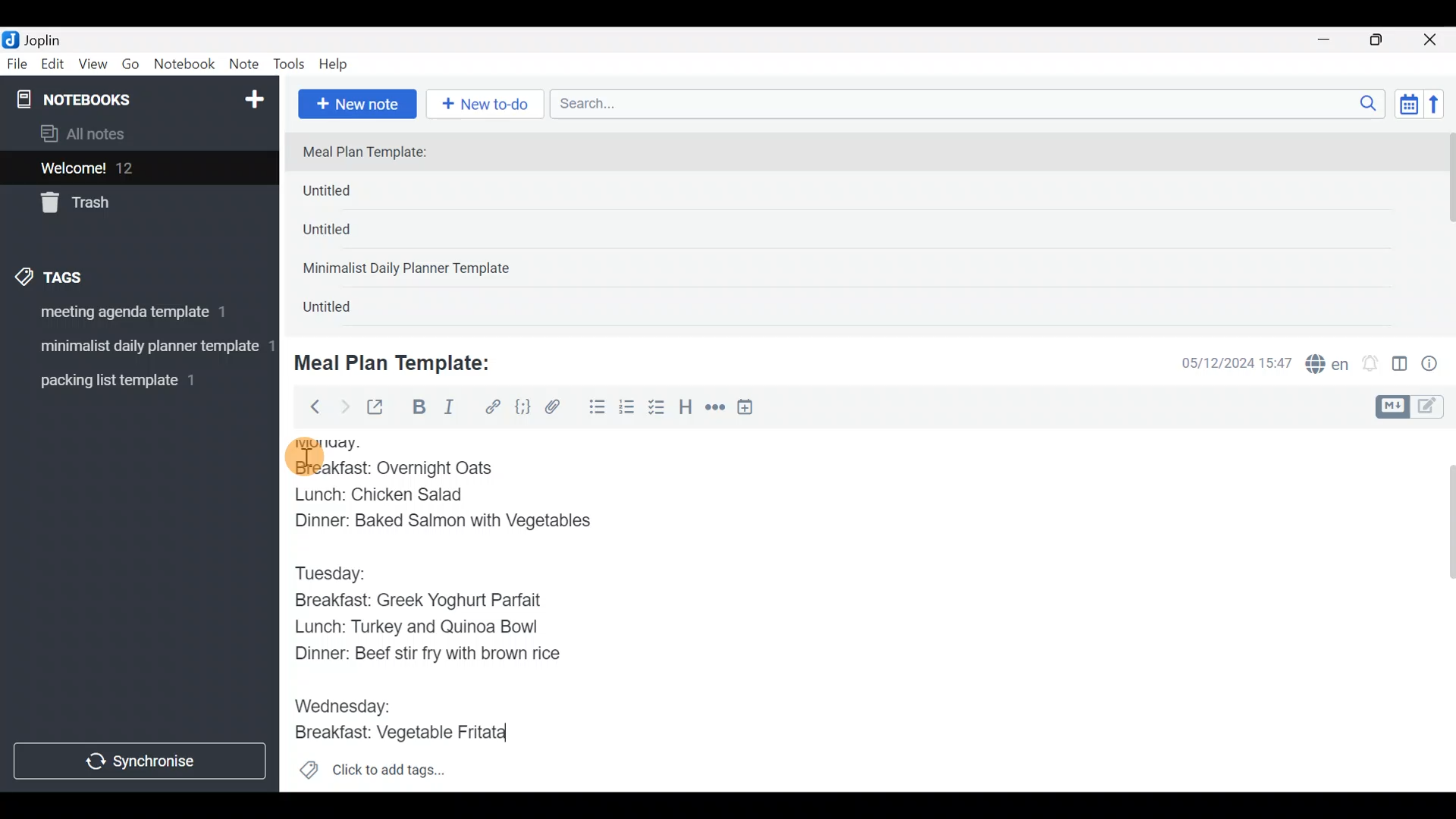 Image resolution: width=1456 pixels, height=819 pixels. What do you see at coordinates (1414, 405) in the screenshot?
I see `Toggle editors` at bounding box center [1414, 405].